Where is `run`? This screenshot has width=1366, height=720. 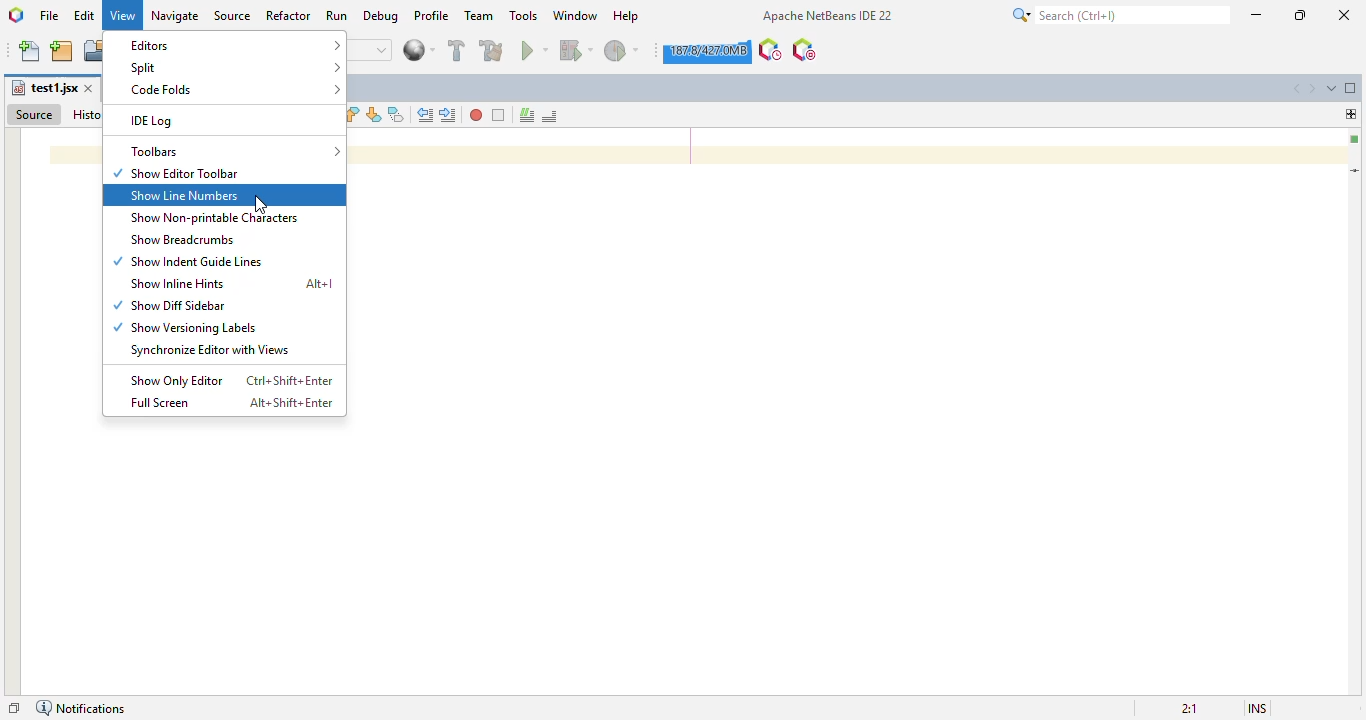 run is located at coordinates (337, 15).